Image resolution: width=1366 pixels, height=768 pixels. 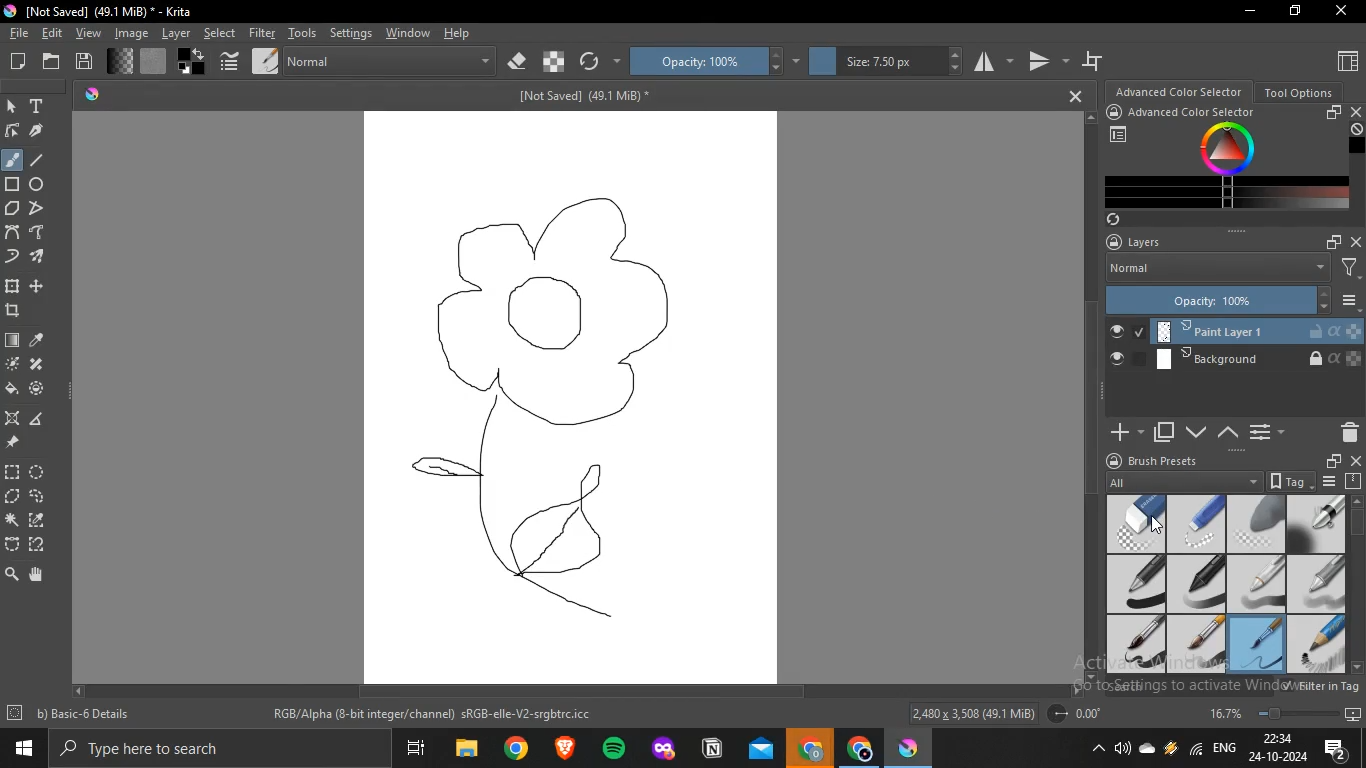 What do you see at coordinates (1120, 135) in the screenshot?
I see `Chosose workspace` at bounding box center [1120, 135].